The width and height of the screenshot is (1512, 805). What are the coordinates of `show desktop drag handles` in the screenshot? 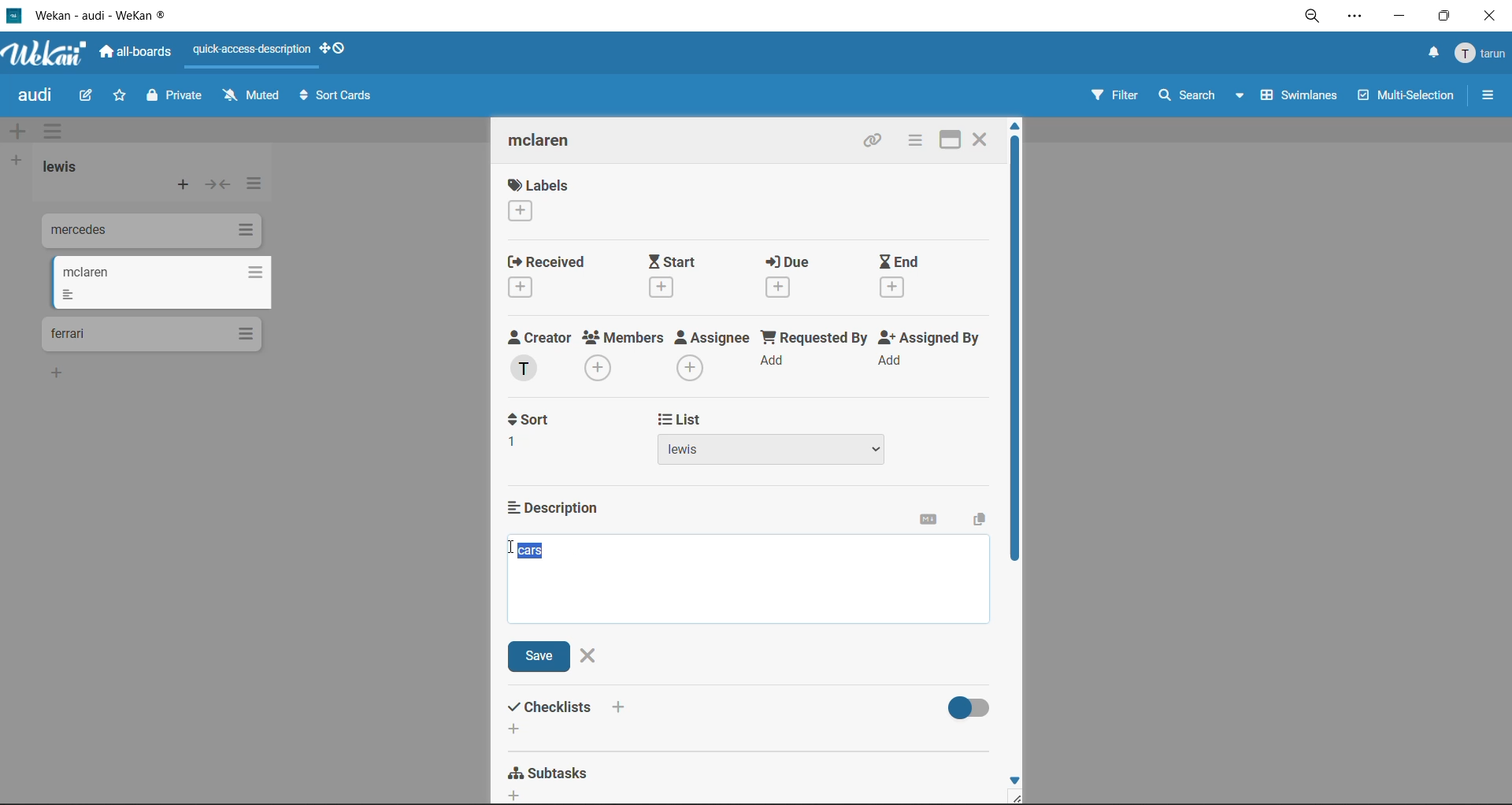 It's located at (336, 48).